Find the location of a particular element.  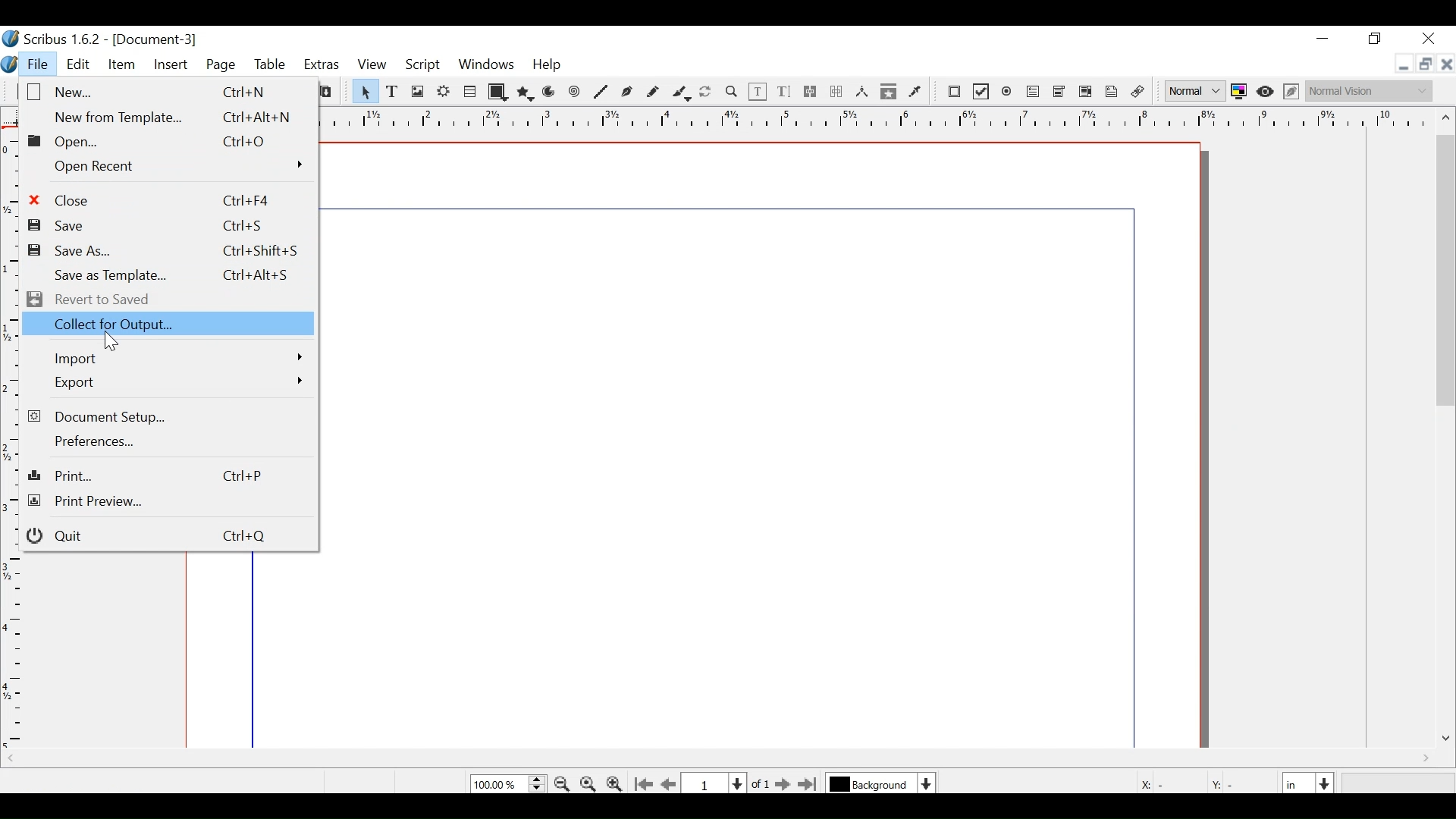

Insert is located at coordinates (170, 65).